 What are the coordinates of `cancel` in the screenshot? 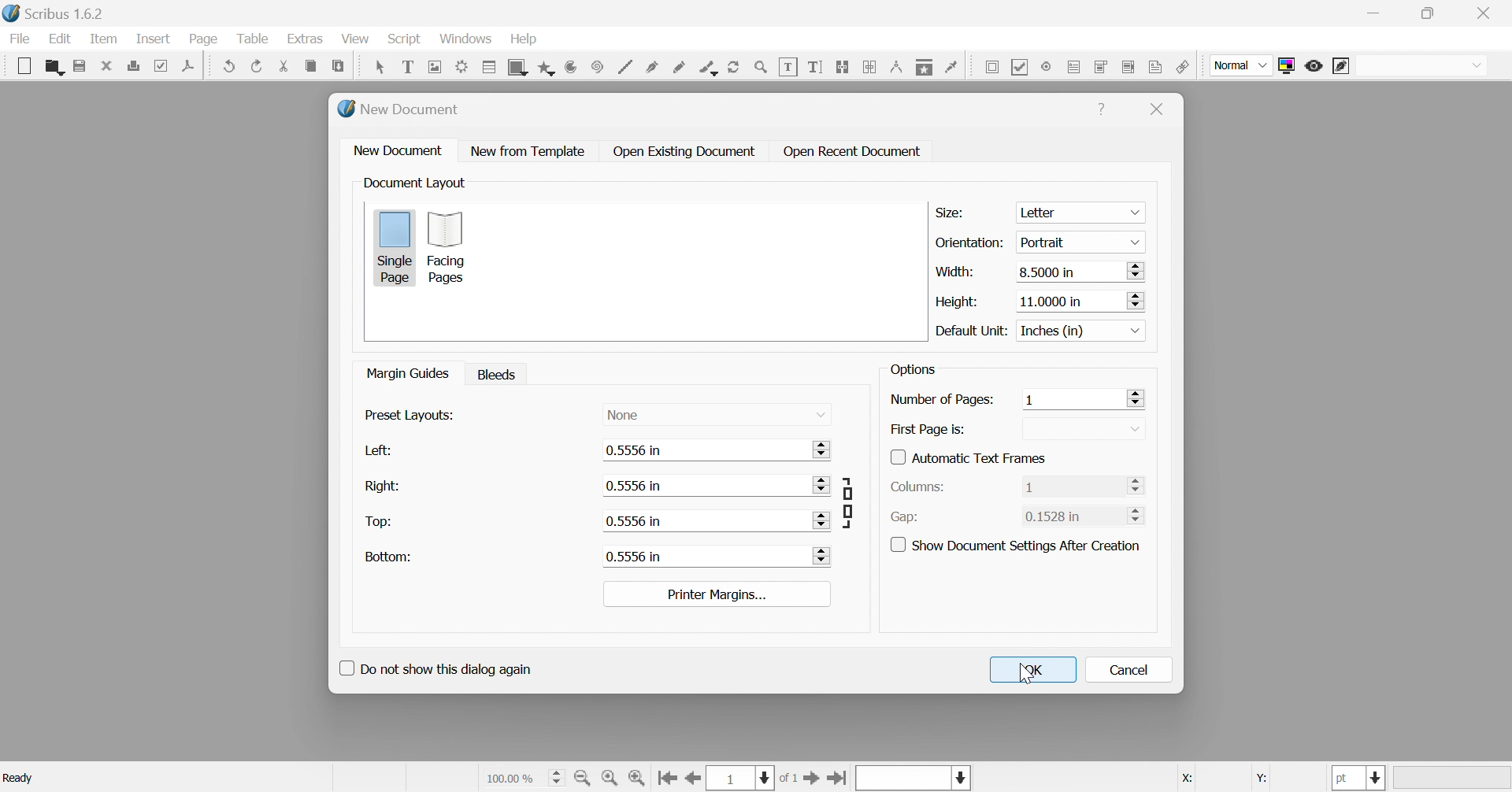 It's located at (1133, 670).